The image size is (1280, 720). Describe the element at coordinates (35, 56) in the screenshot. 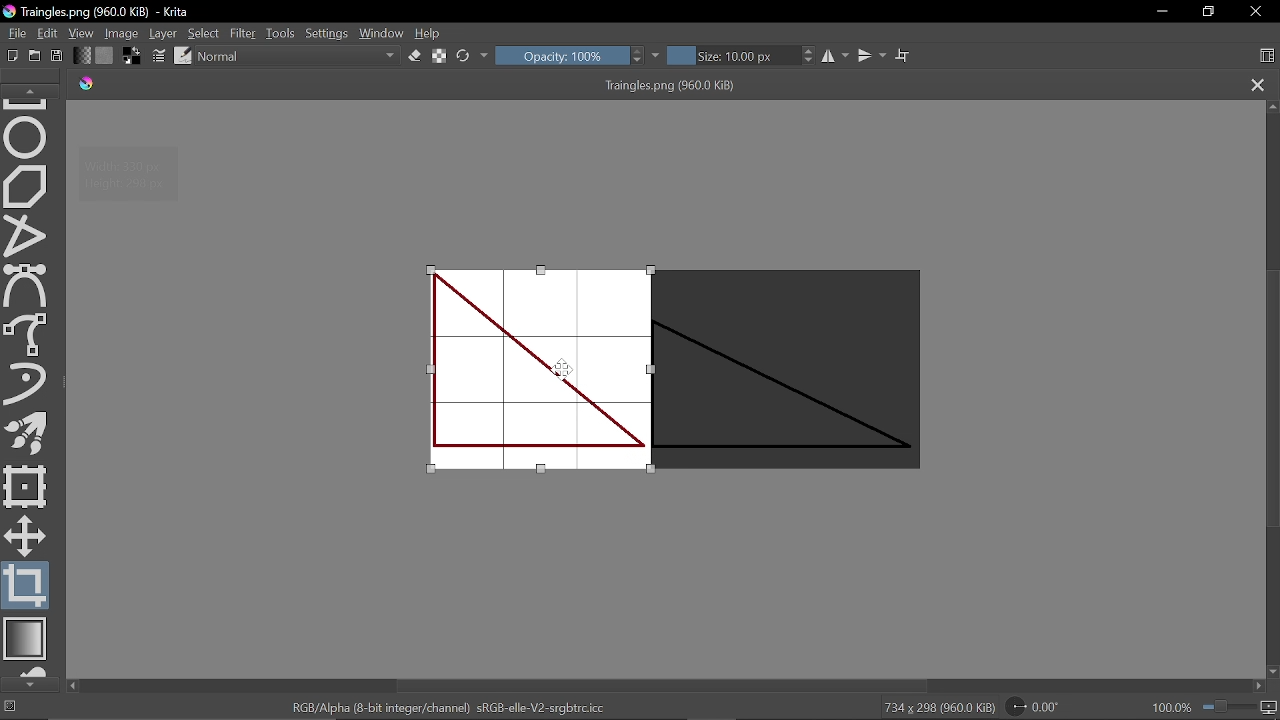

I see `Open new document` at that location.